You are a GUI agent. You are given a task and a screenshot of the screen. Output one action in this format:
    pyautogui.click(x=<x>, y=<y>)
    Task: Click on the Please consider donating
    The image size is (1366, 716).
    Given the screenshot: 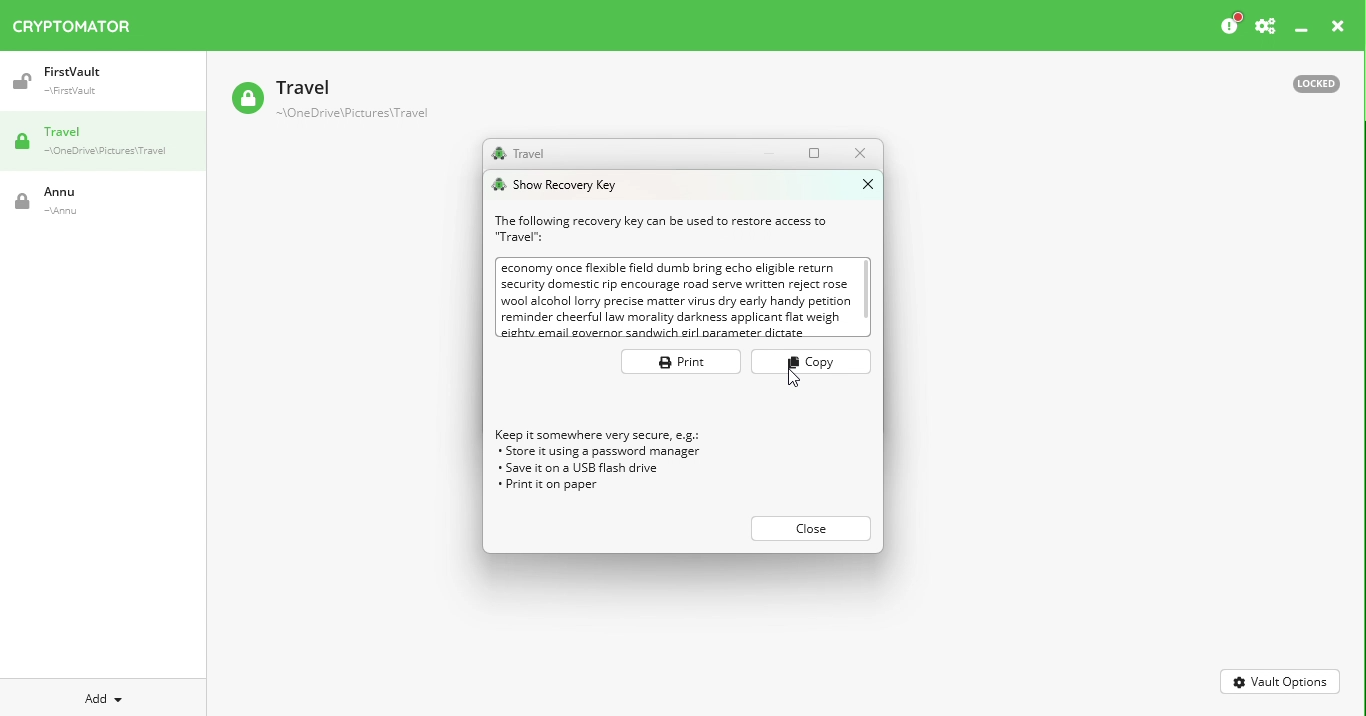 What is the action you would take?
    pyautogui.click(x=1229, y=25)
    